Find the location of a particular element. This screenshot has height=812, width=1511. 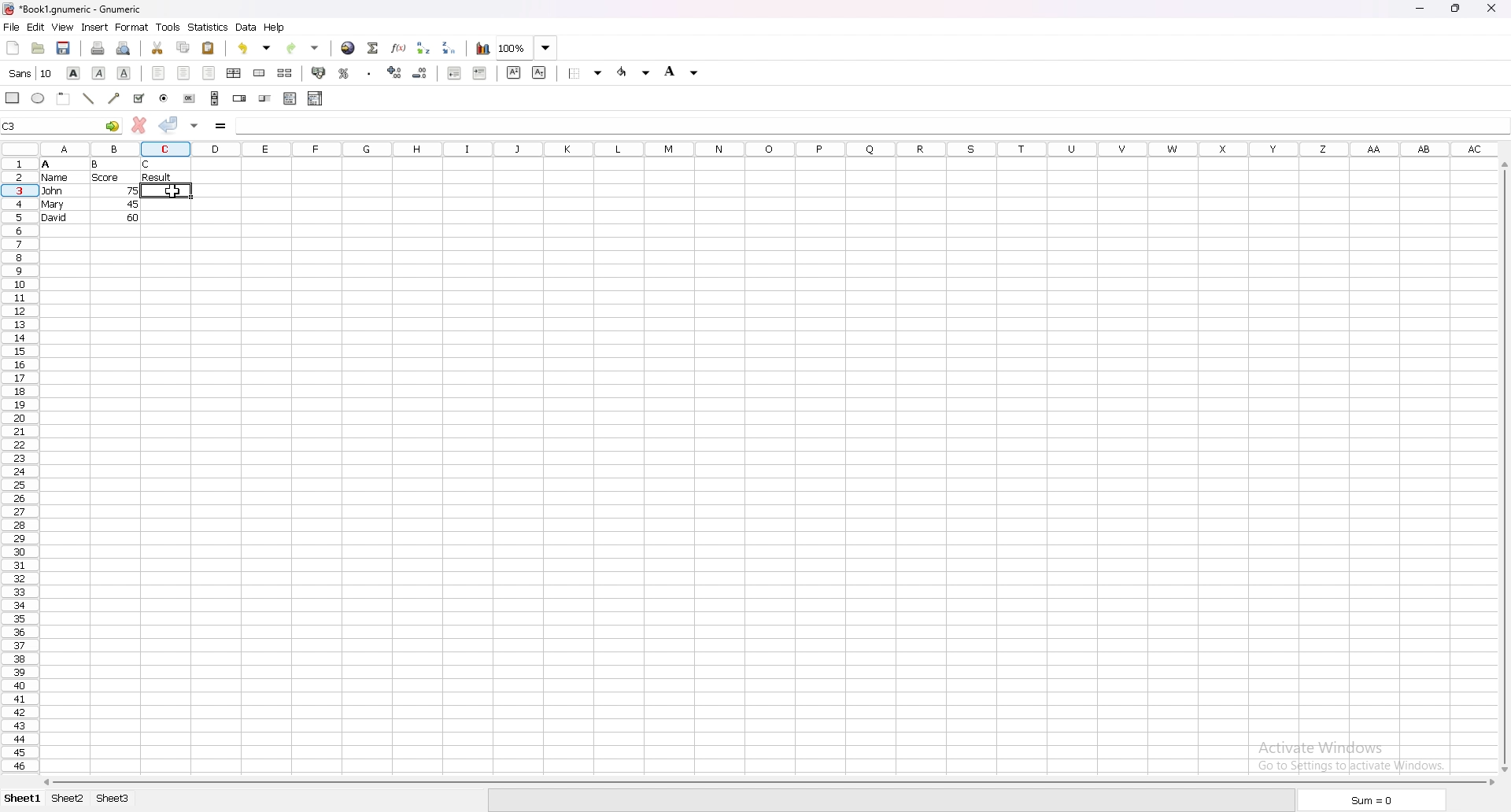

increase decimals is located at coordinates (397, 72).